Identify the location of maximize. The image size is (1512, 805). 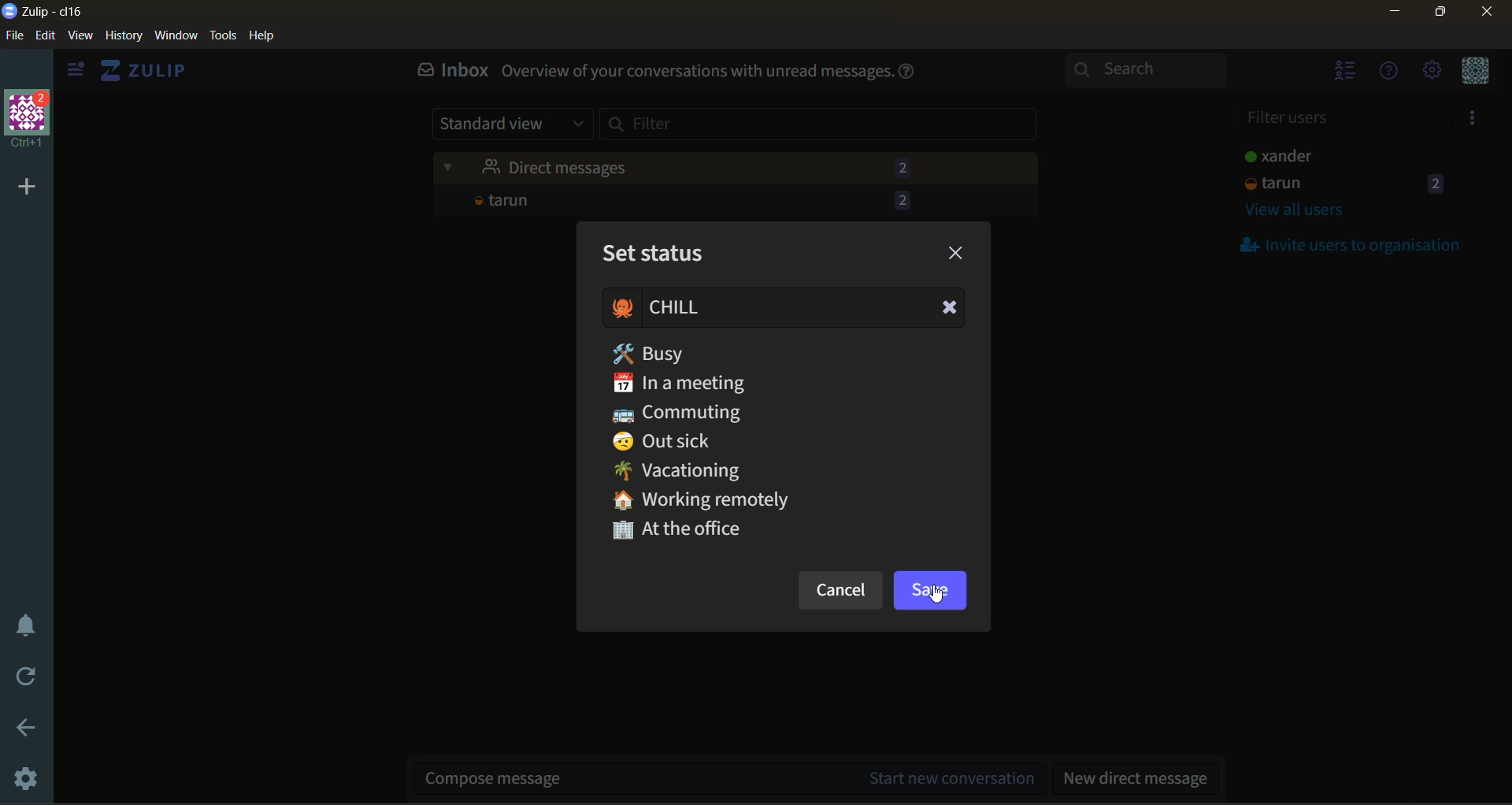
(1440, 14).